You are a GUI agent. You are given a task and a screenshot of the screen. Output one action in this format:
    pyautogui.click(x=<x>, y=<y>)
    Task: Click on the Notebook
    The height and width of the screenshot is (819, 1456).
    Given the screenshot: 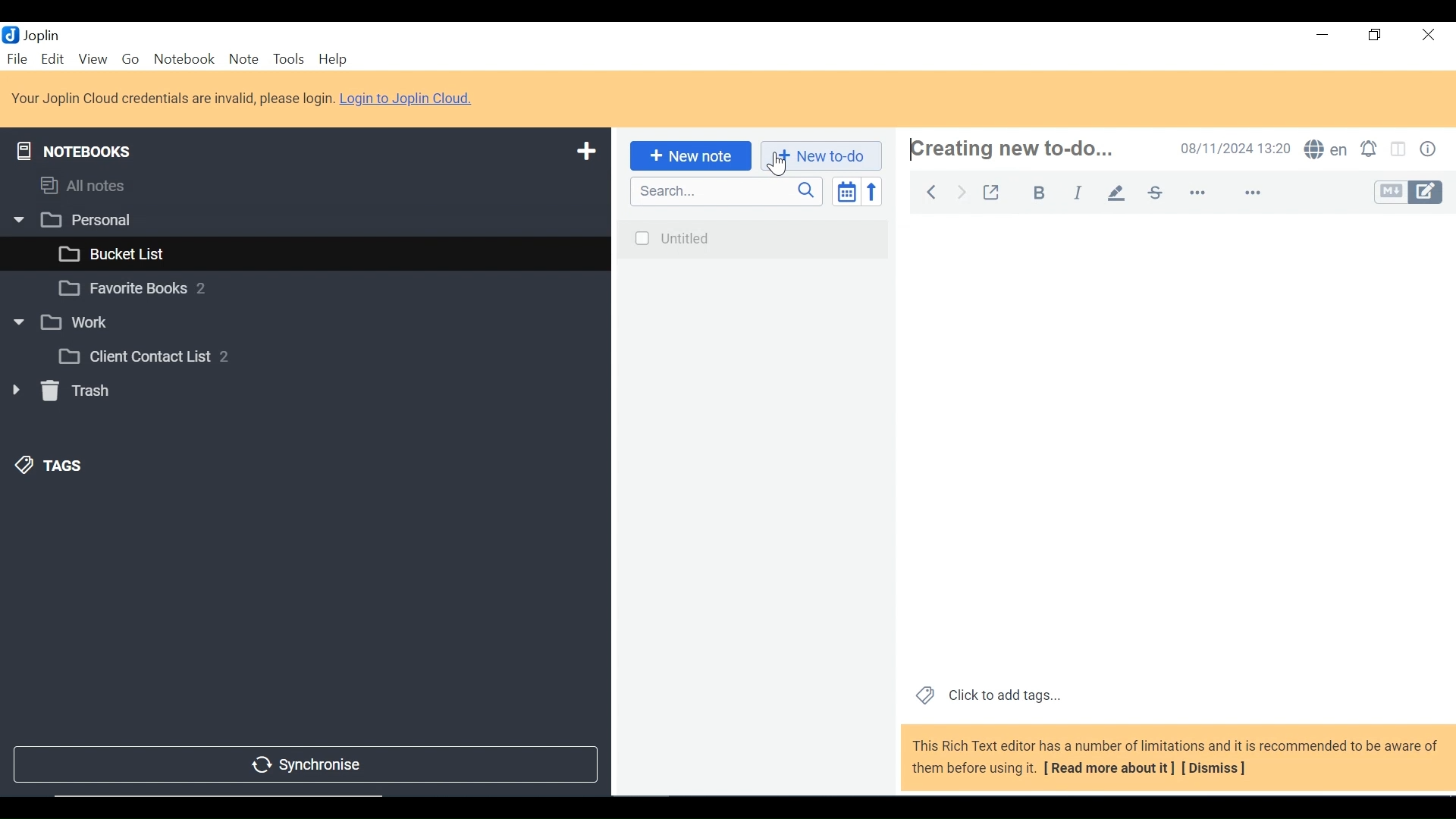 What is the action you would take?
    pyautogui.click(x=306, y=322)
    